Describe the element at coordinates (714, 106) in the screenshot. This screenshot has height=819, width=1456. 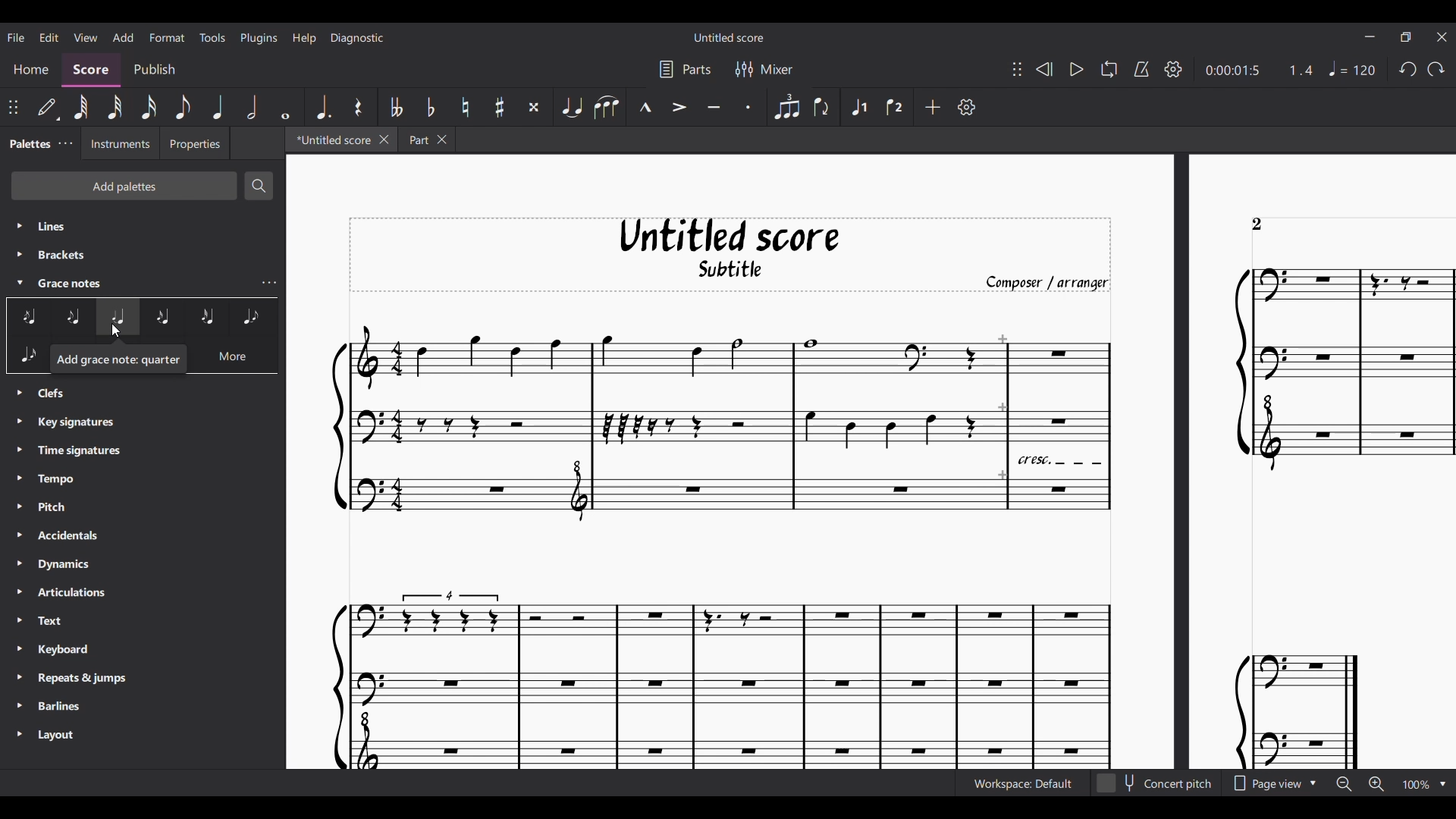
I see `Tenuto` at that location.